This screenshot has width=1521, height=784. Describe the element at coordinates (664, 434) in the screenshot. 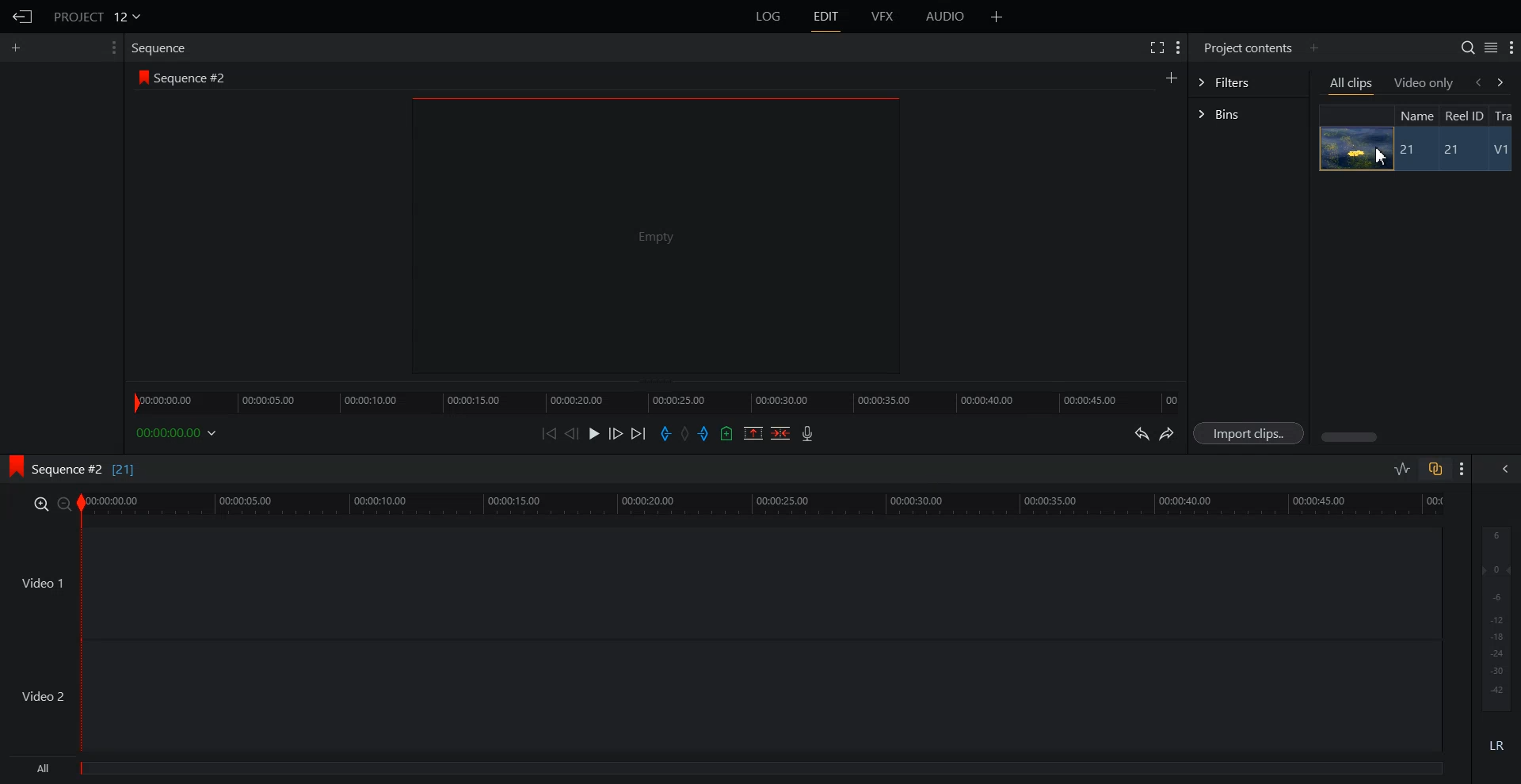

I see `Add an in Mark in current position` at that location.